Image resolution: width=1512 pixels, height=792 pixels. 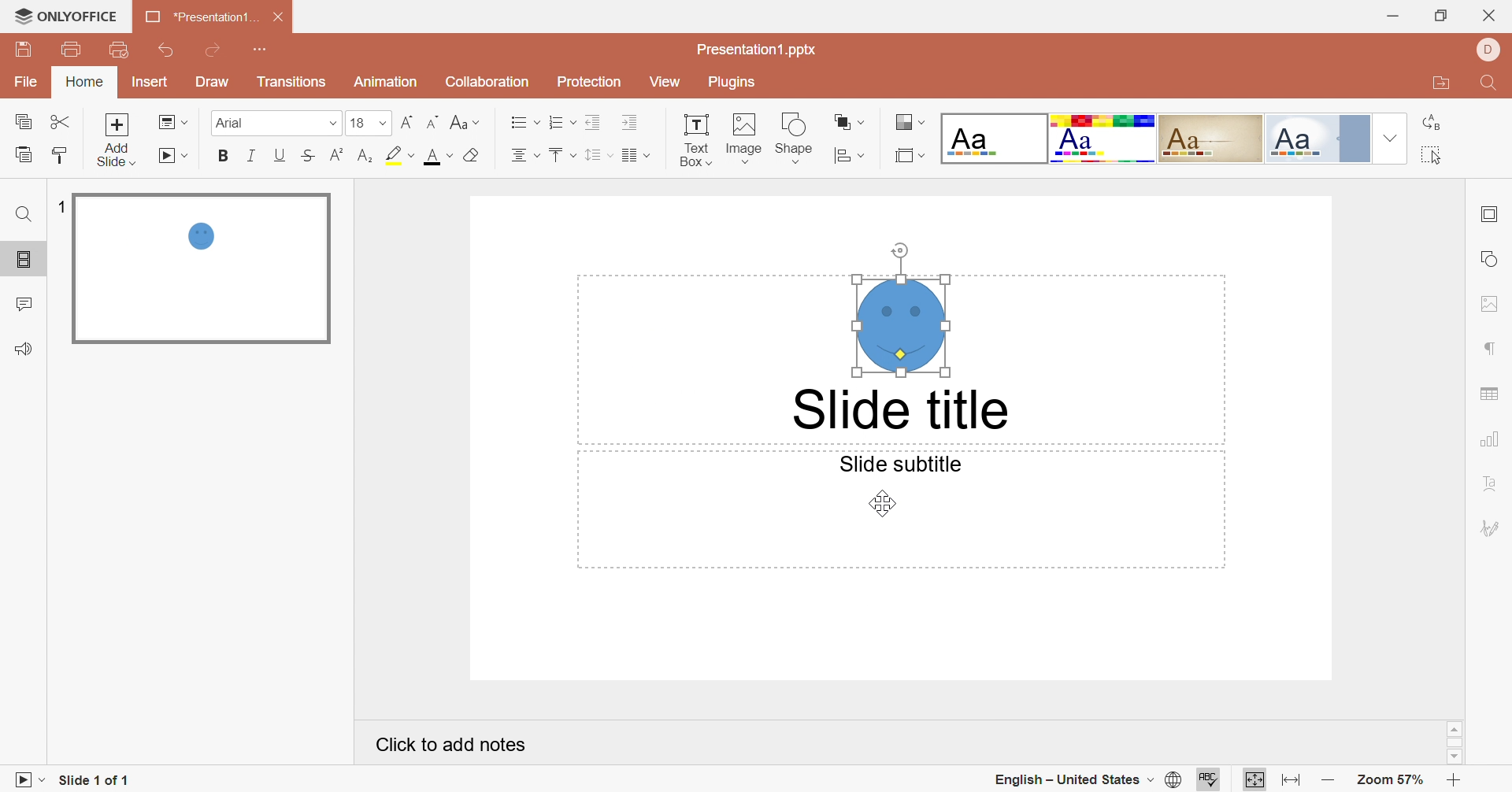 I want to click on Increase Indent, so click(x=631, y=124).